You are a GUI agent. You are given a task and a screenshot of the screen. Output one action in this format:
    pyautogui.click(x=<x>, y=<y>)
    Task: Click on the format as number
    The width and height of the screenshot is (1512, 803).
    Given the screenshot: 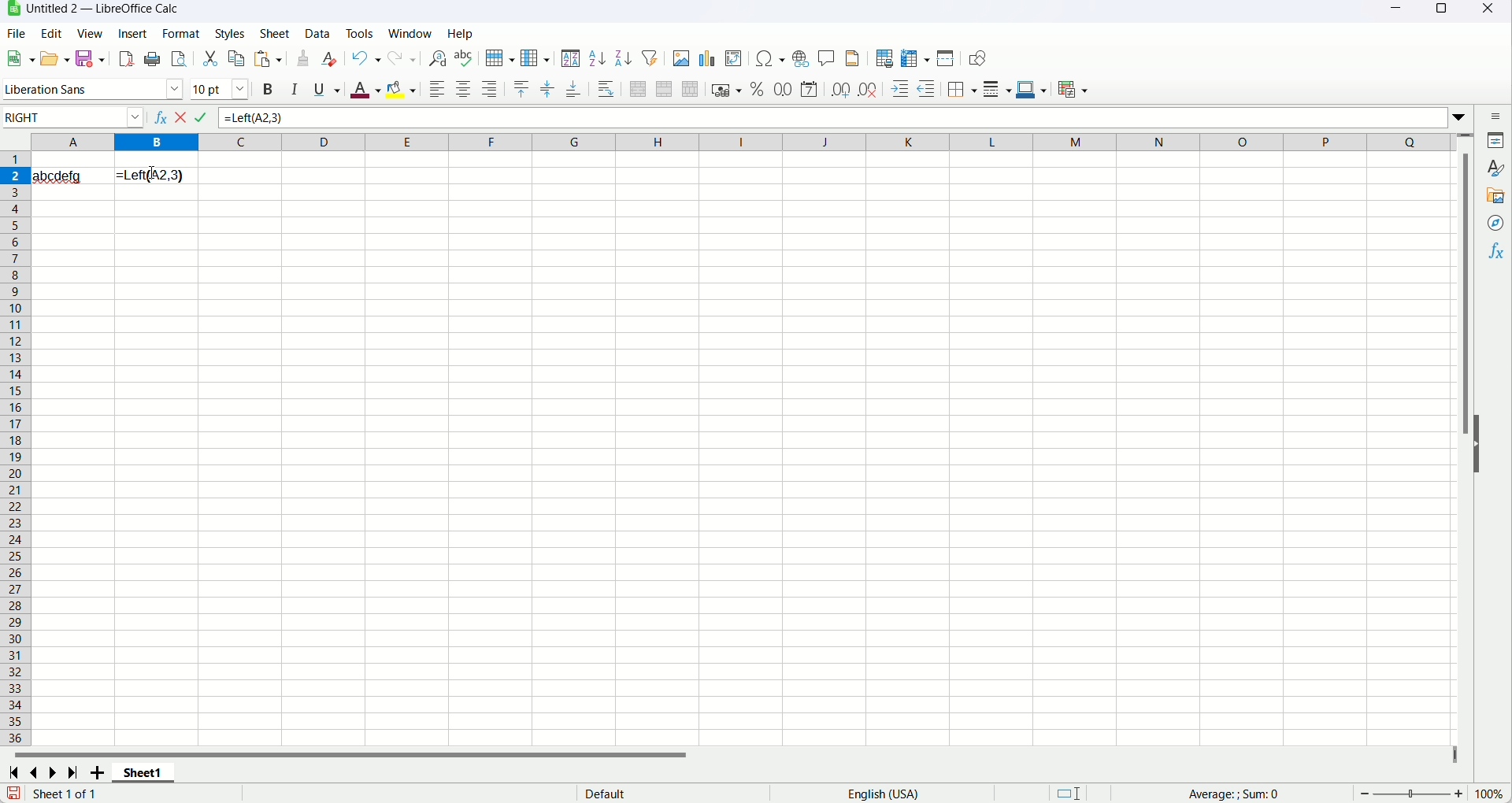 What is the action you would take?
    pyautogui.click(x=783, y=90)
    